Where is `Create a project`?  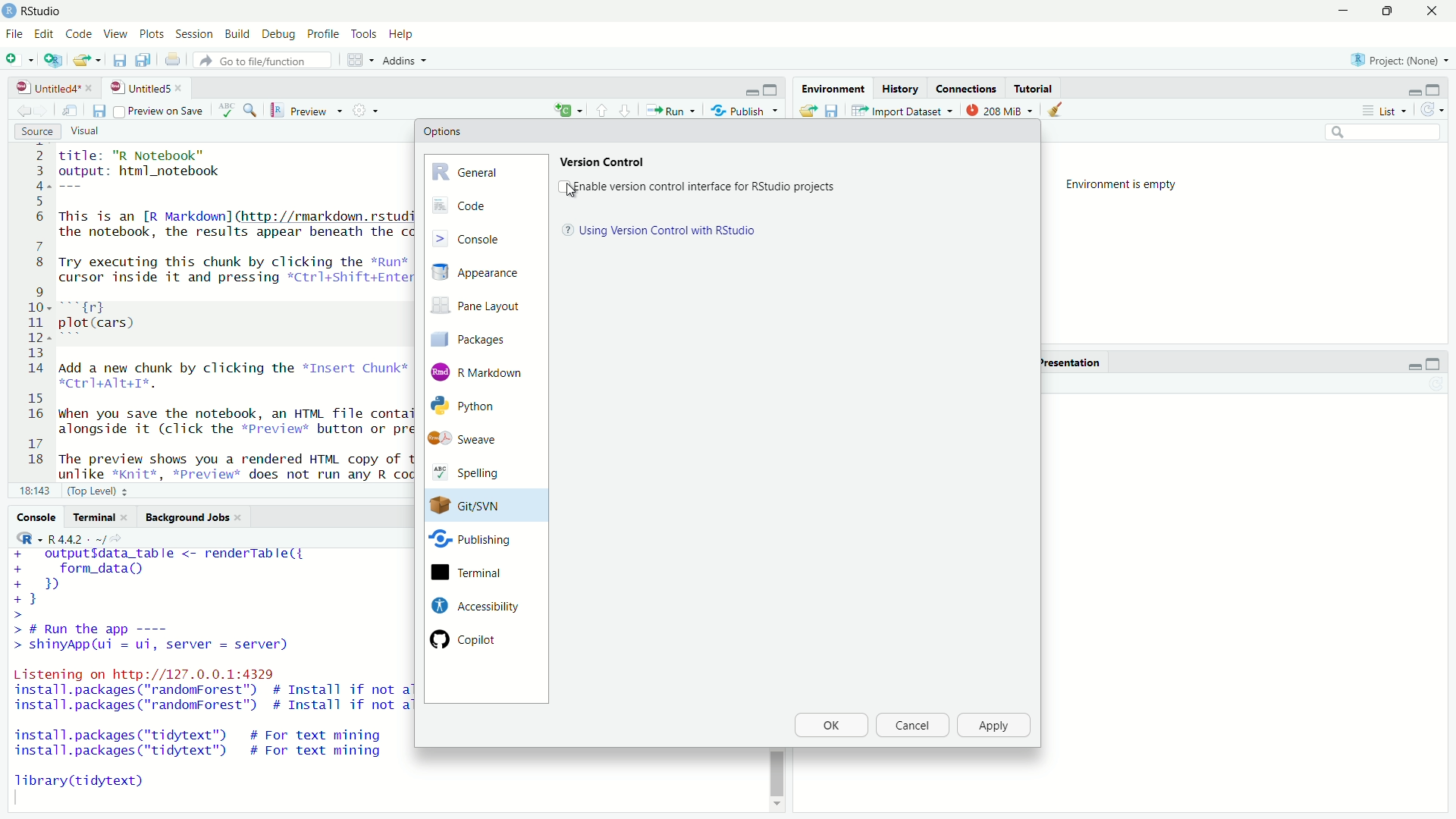 Create a project is located at coordinates (54, 59).